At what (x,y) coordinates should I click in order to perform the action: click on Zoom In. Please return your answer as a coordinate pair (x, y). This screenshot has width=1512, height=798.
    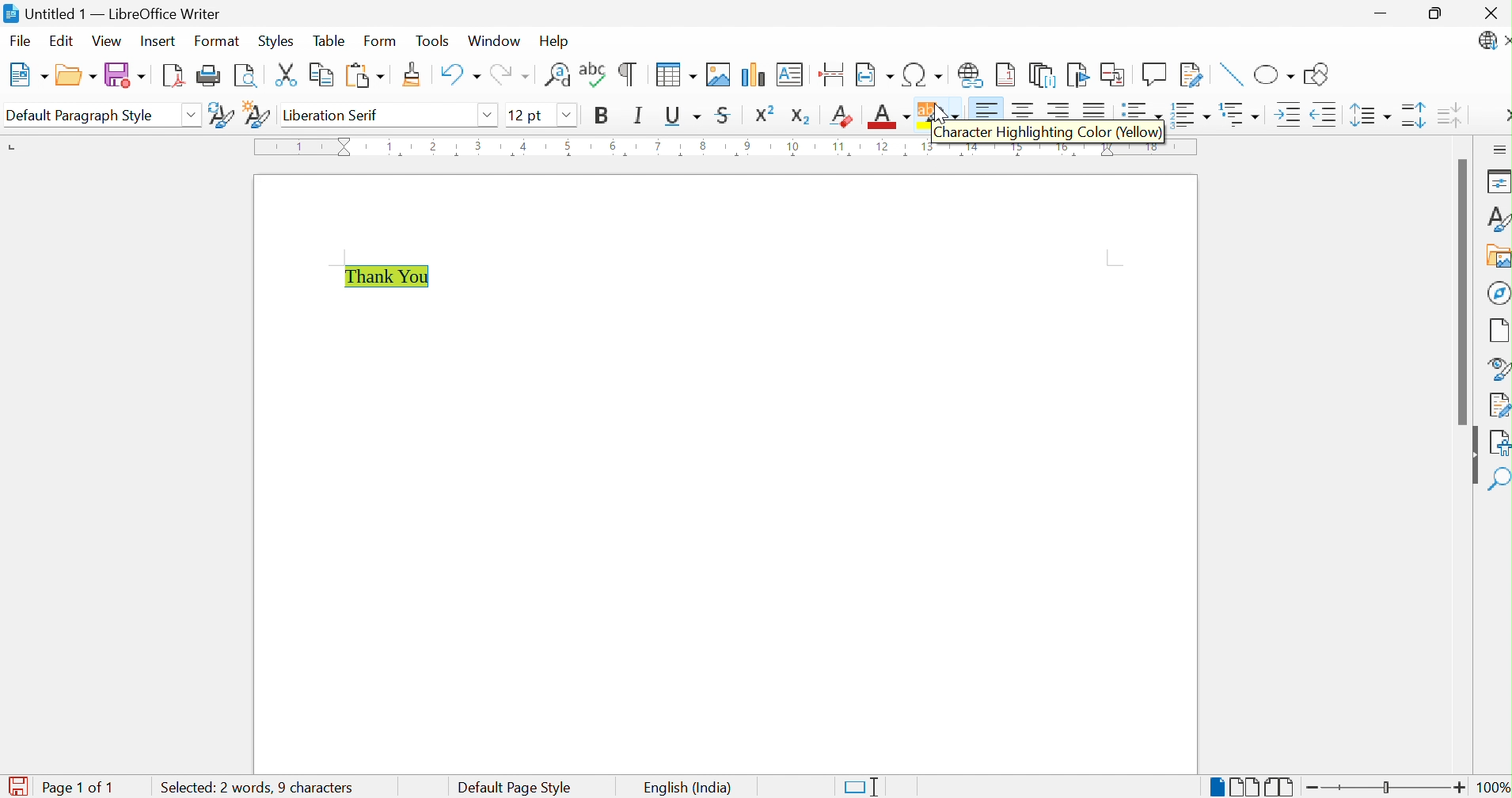
    Looking at the image, I should click on (1460, 786).